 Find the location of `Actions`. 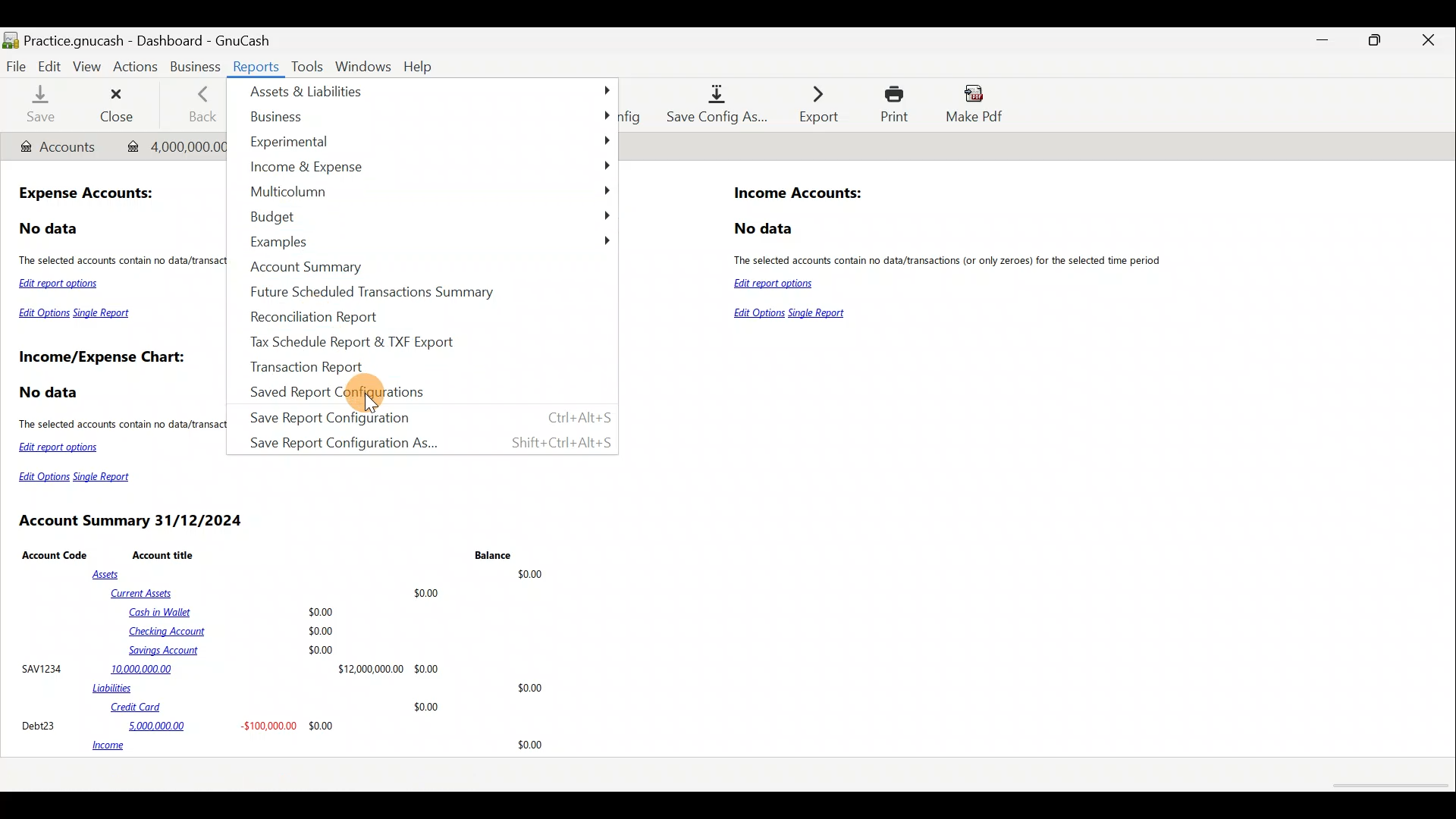

Actions is located at coordinates (139, 71).